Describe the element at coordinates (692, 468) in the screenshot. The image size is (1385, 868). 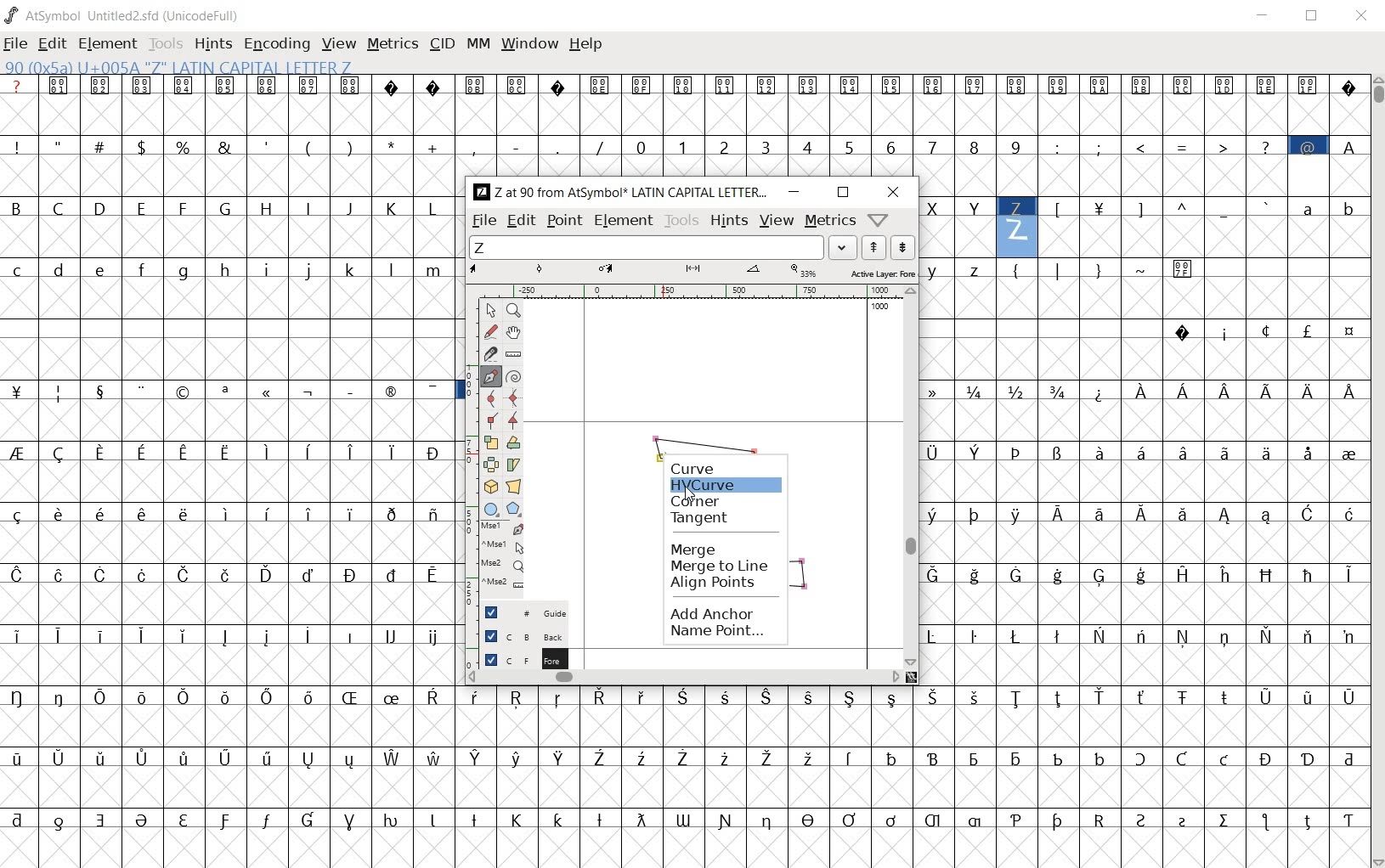
I see `curve` at that location.